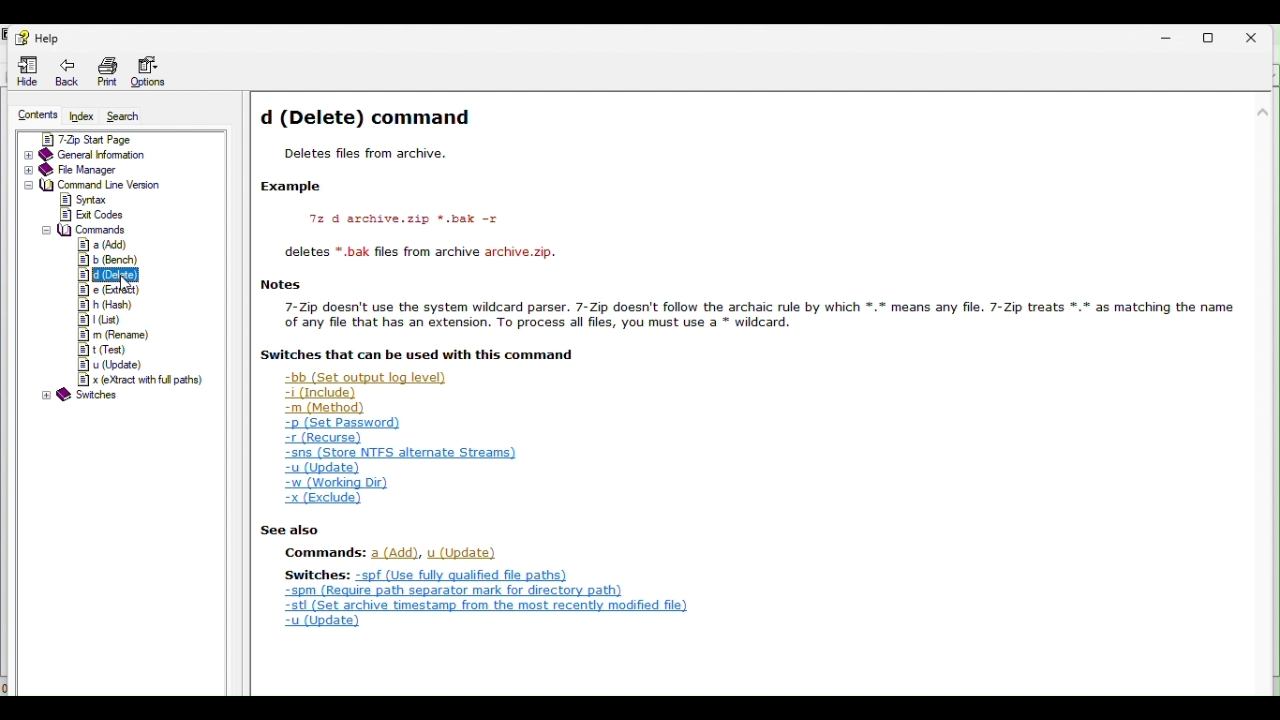  Describe the element at coordinates (91, 399) in the screenshot. I see `switches` at that location.